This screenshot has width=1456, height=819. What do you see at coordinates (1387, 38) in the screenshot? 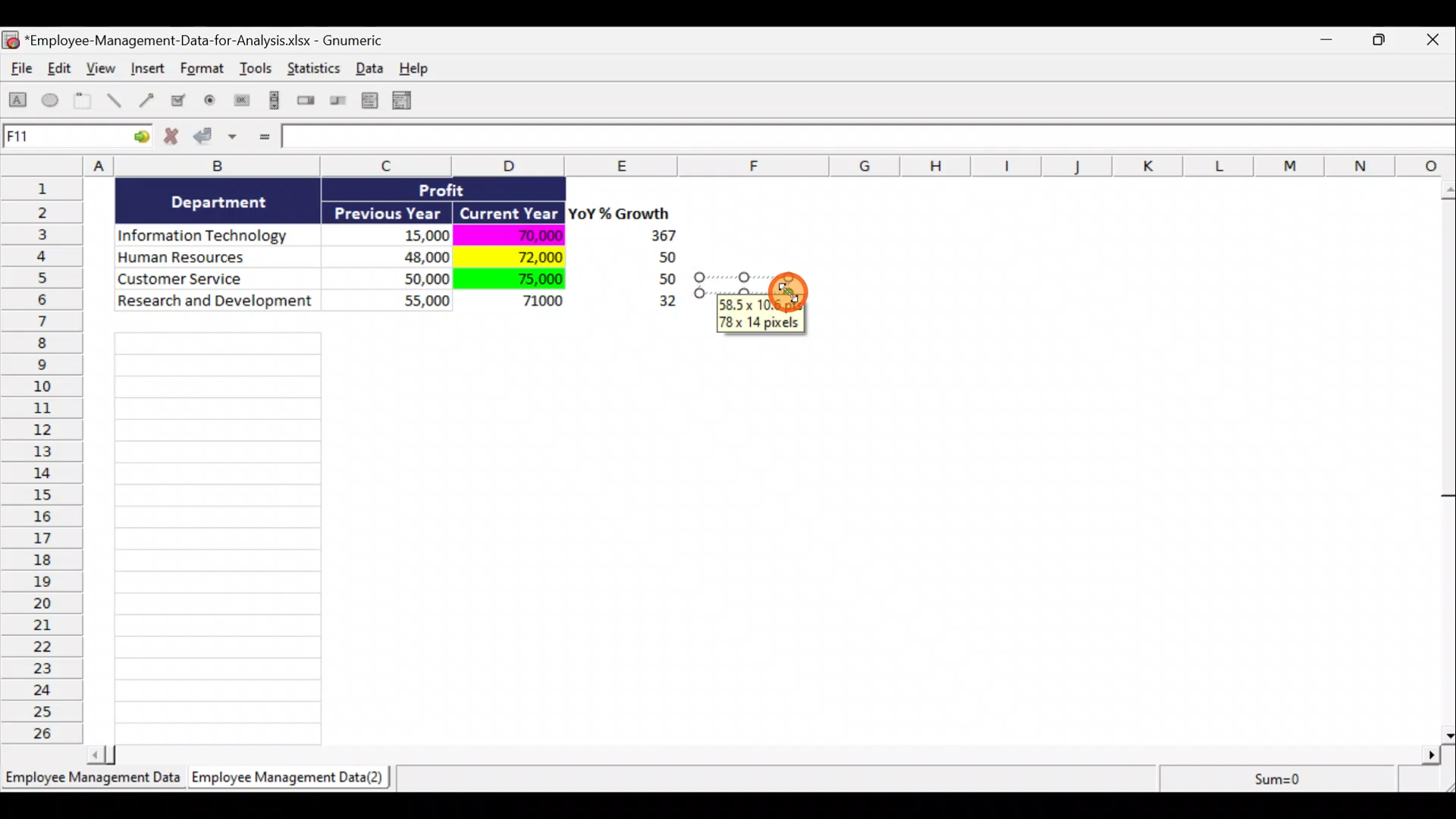
I see `Maximise` at bounding box center [1387, 38].